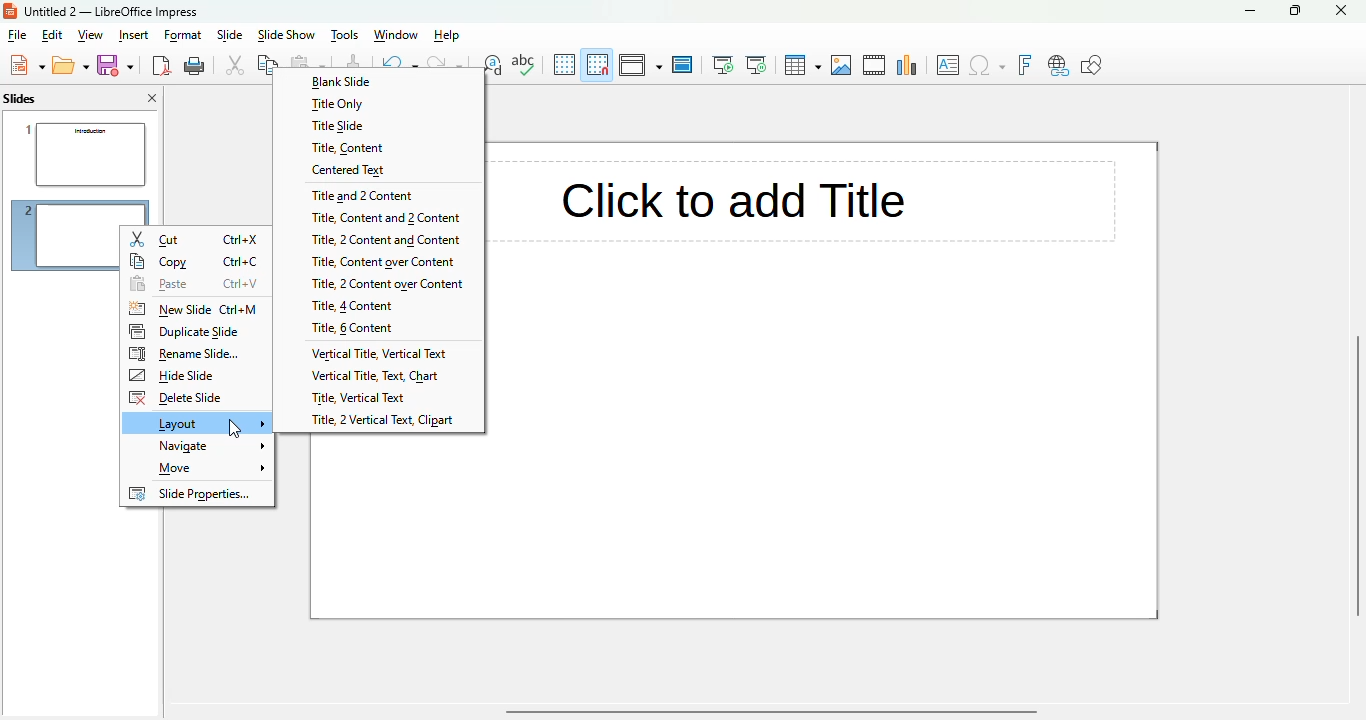  I want to click on insert hyperlink, so click(1059, 66).